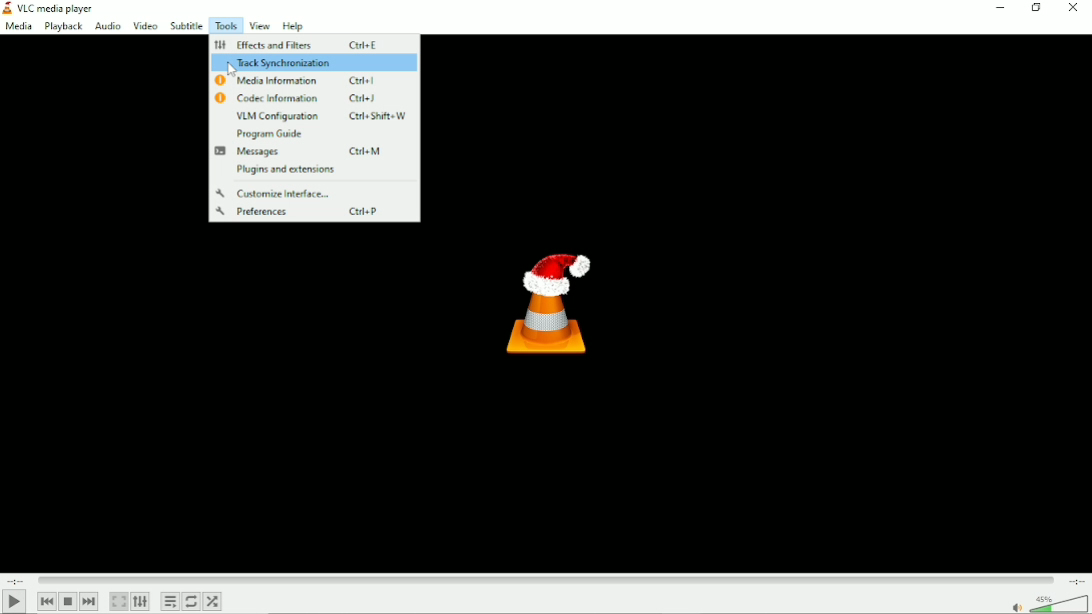 The height and width of the screenshot is (614, 1092). I want to click on VLM Configuration, so click(322, 116).